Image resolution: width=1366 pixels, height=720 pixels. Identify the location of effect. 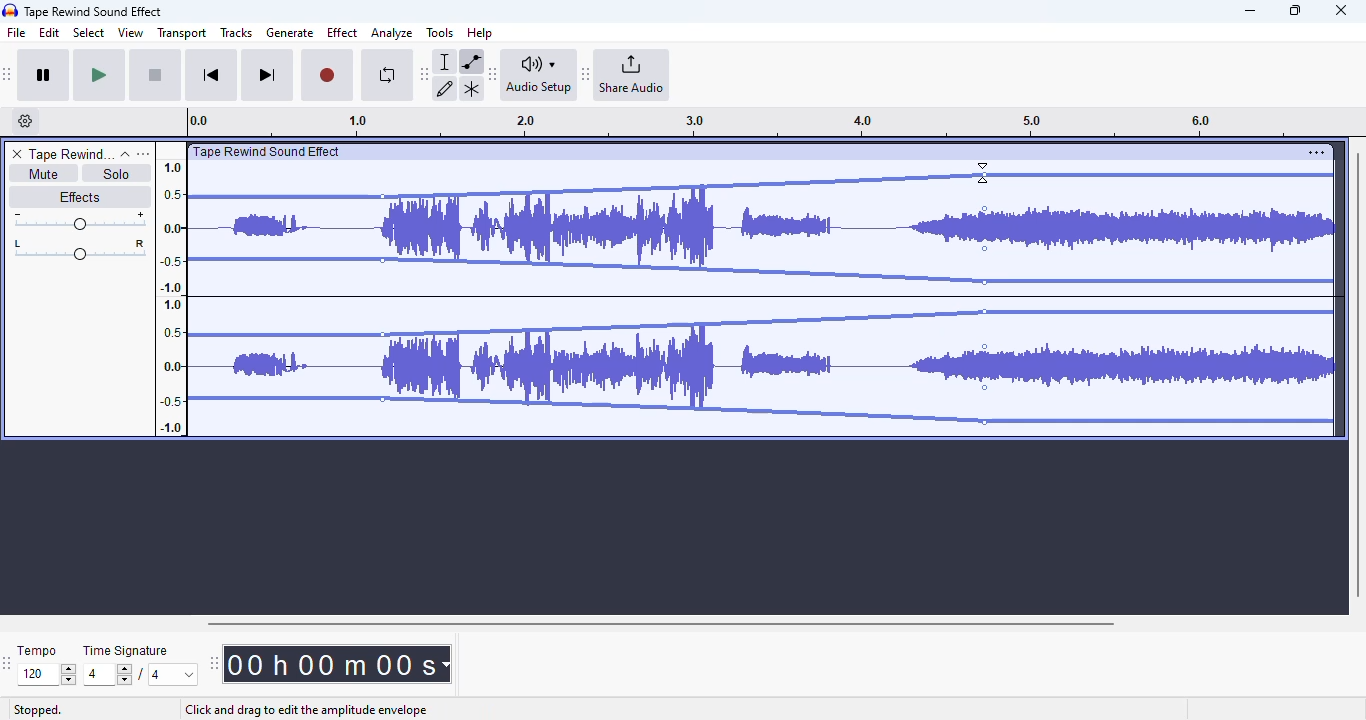
(342, 32).